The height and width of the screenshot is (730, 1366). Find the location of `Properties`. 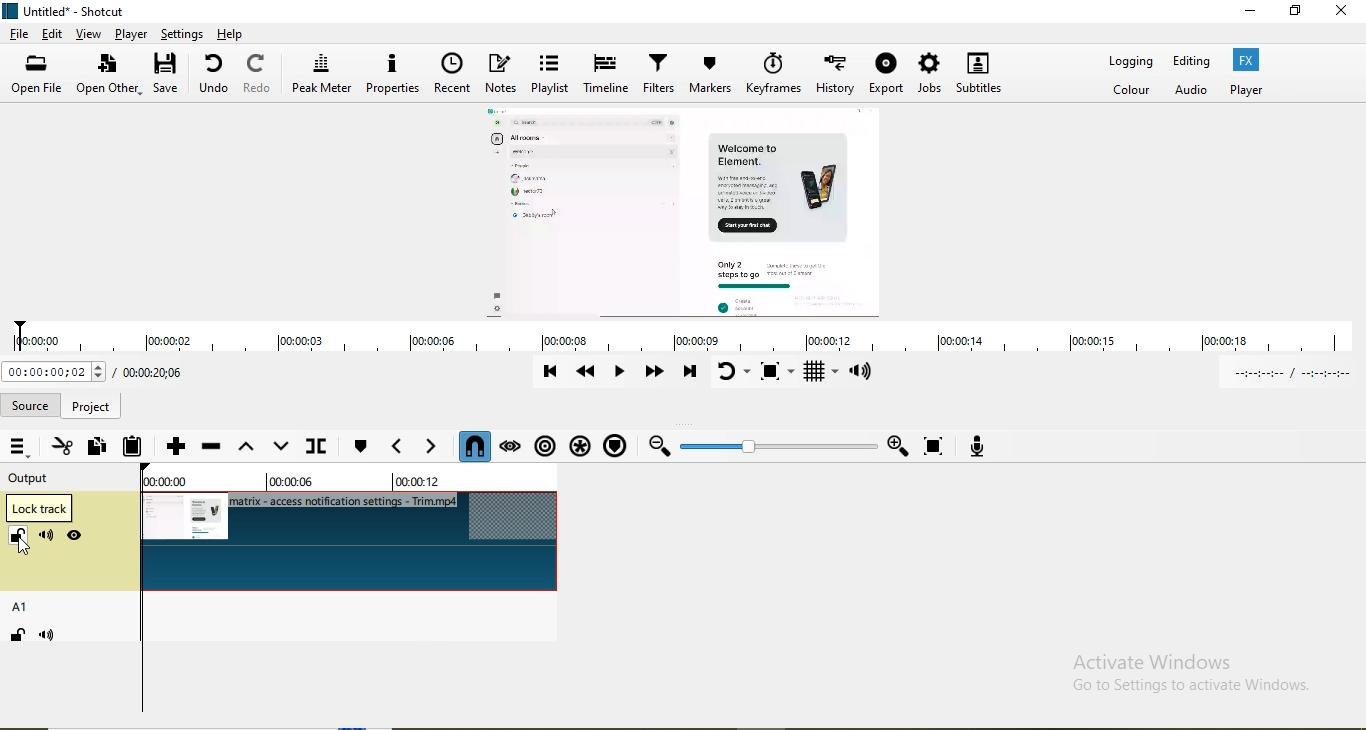

Properties is located at coordinates (394, 75).